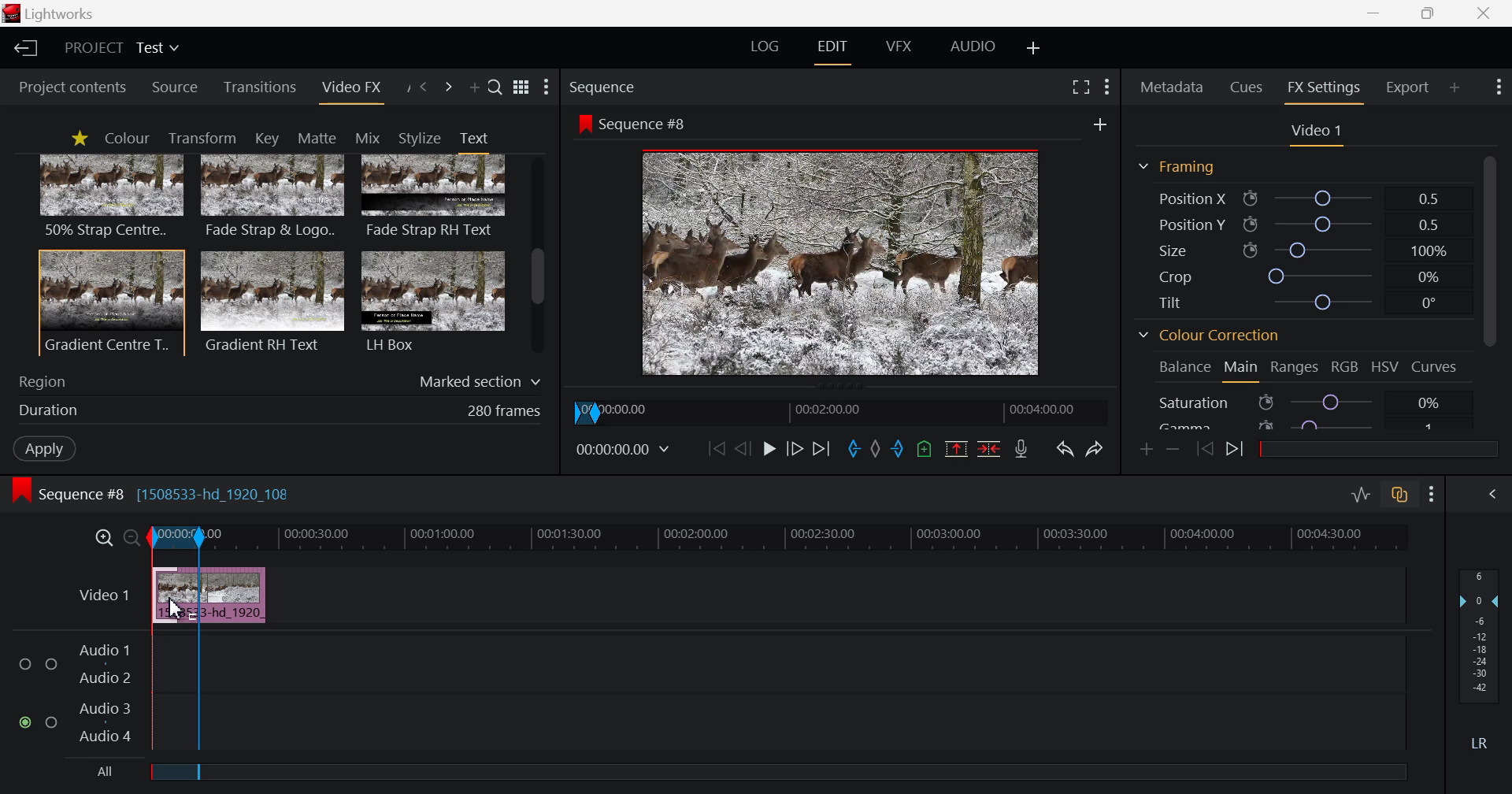 The height and width of the screenshot is (794, 1512). What do you see at coordinates (1303, 224) in the screenshot?
I see `Position Y` at bounding box center [1303, 224].